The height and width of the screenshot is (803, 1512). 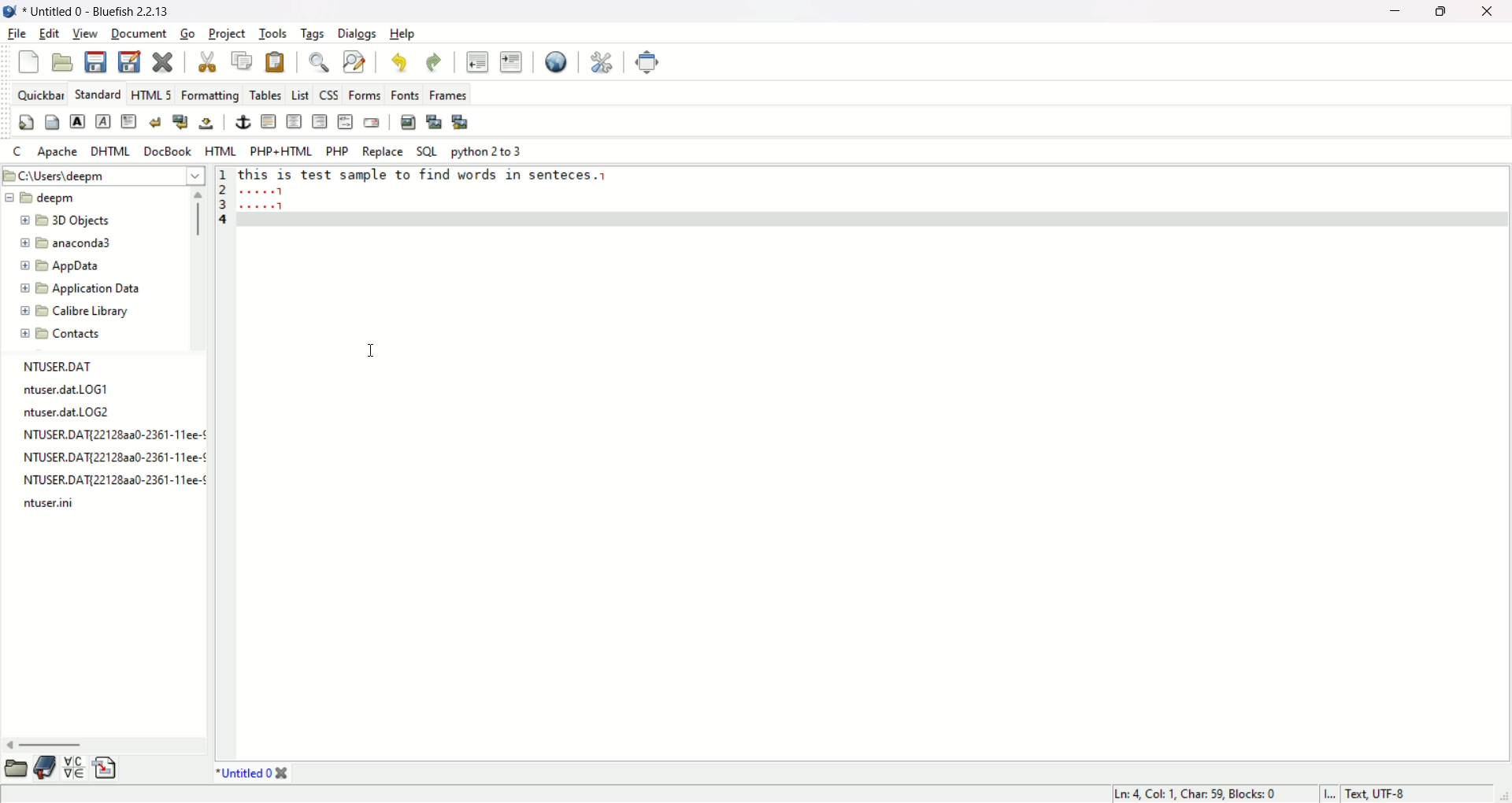 I want to click on PHP+HTML, so click(x=280, y=150).